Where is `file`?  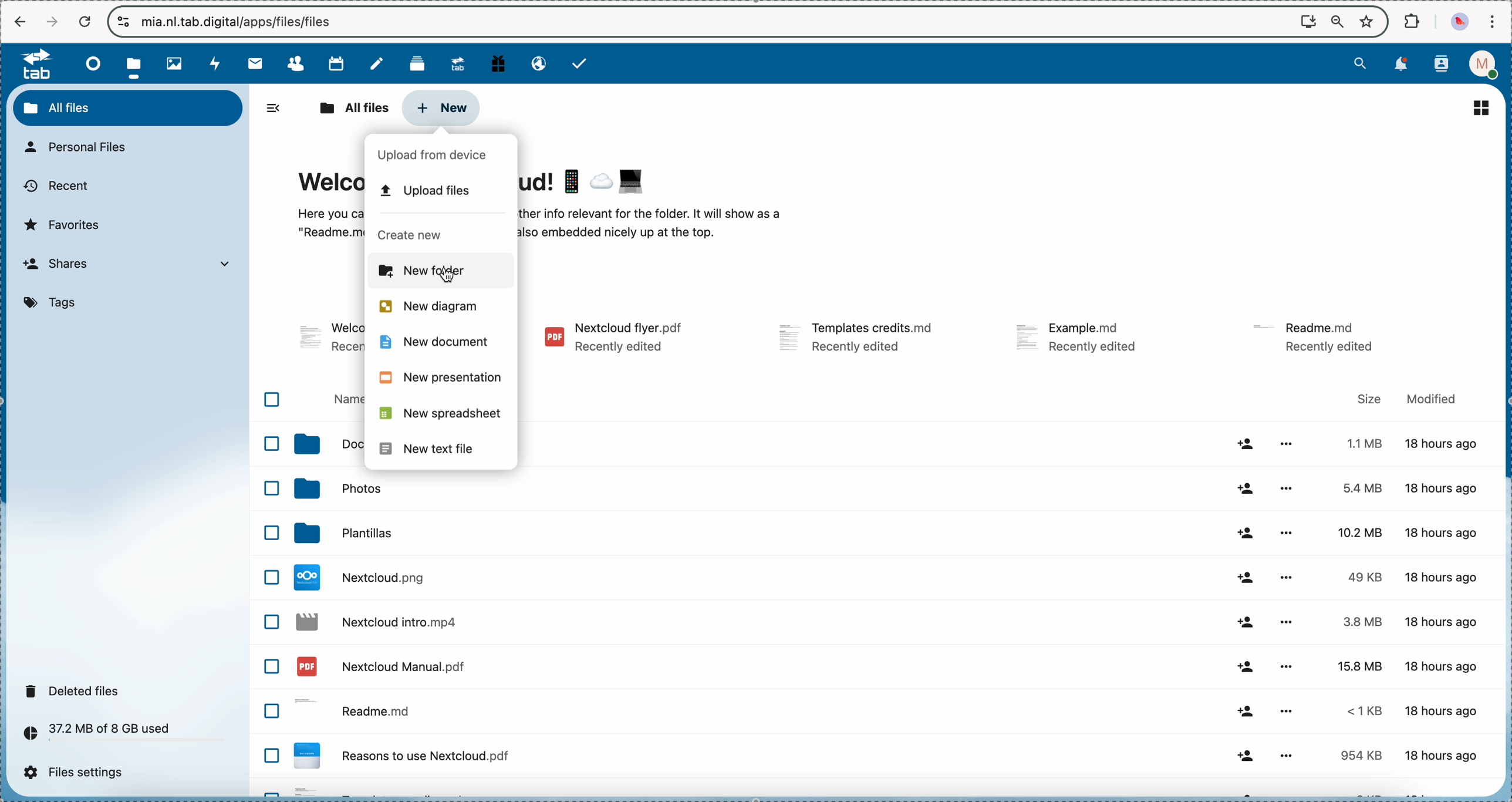
file is located at coordinates (754, 621).